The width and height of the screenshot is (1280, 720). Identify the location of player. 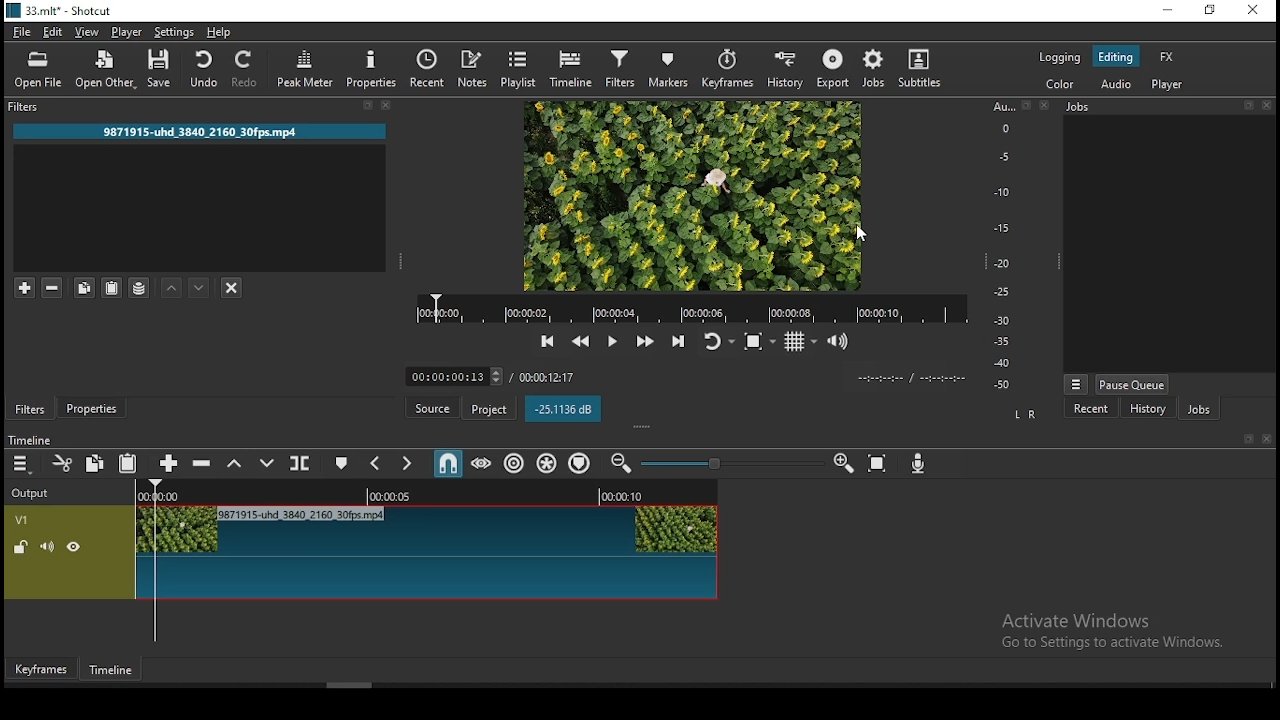
(1167, 84).